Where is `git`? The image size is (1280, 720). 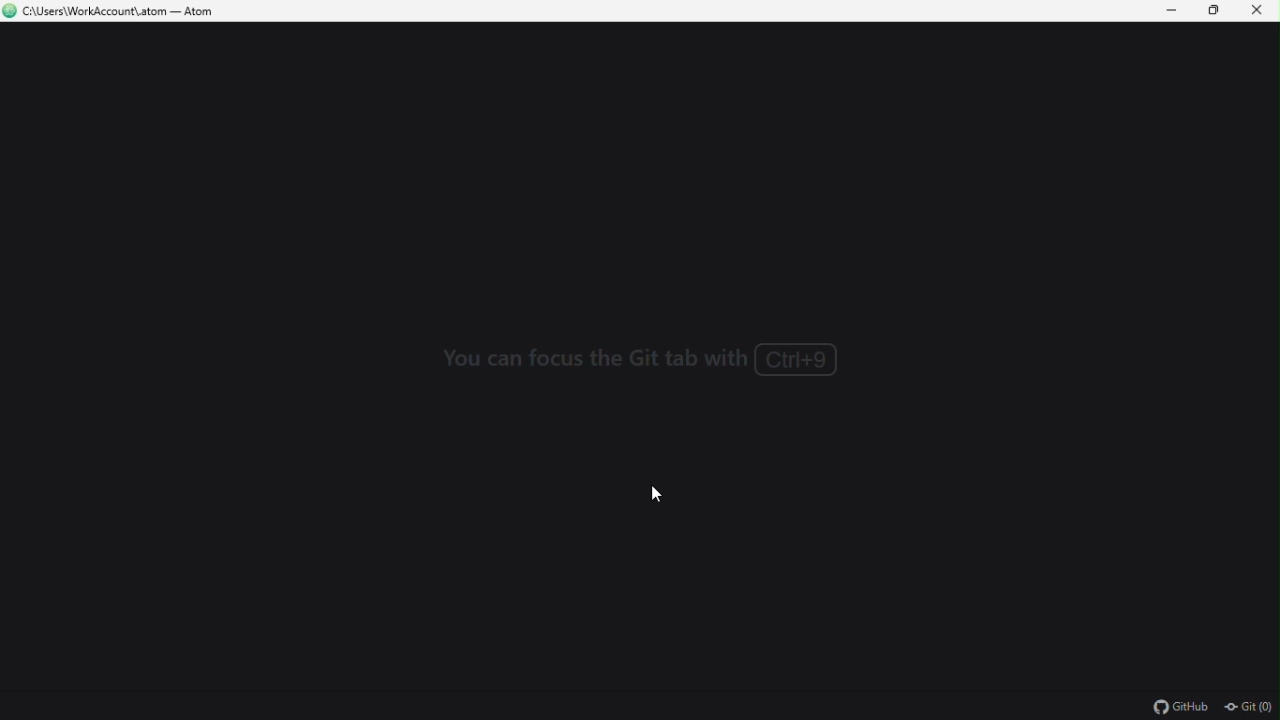 git is located at coordinates (1250, 709).